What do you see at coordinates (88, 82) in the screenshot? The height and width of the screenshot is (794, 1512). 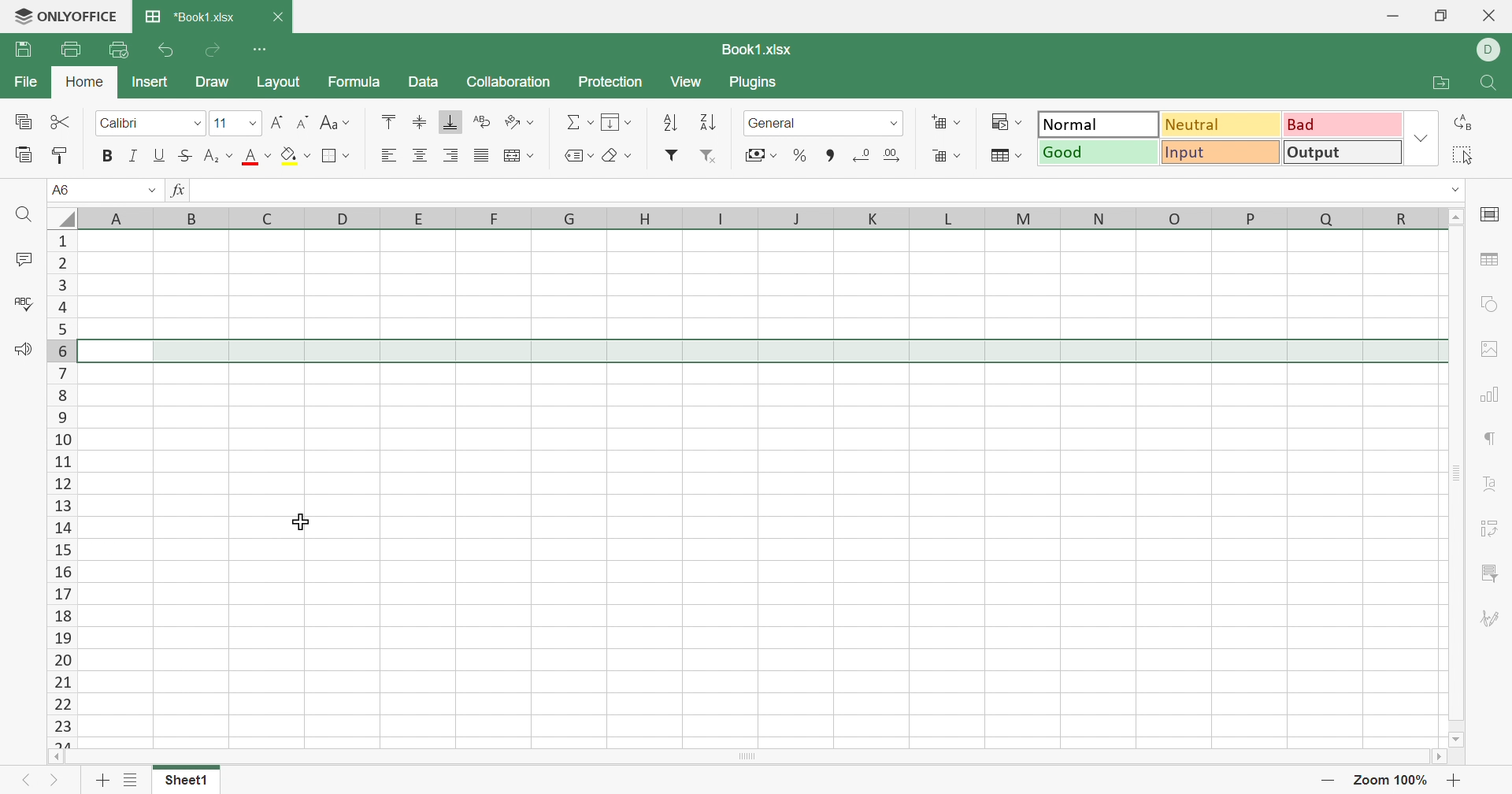 I see `Home` at bounding box center [88, 82].